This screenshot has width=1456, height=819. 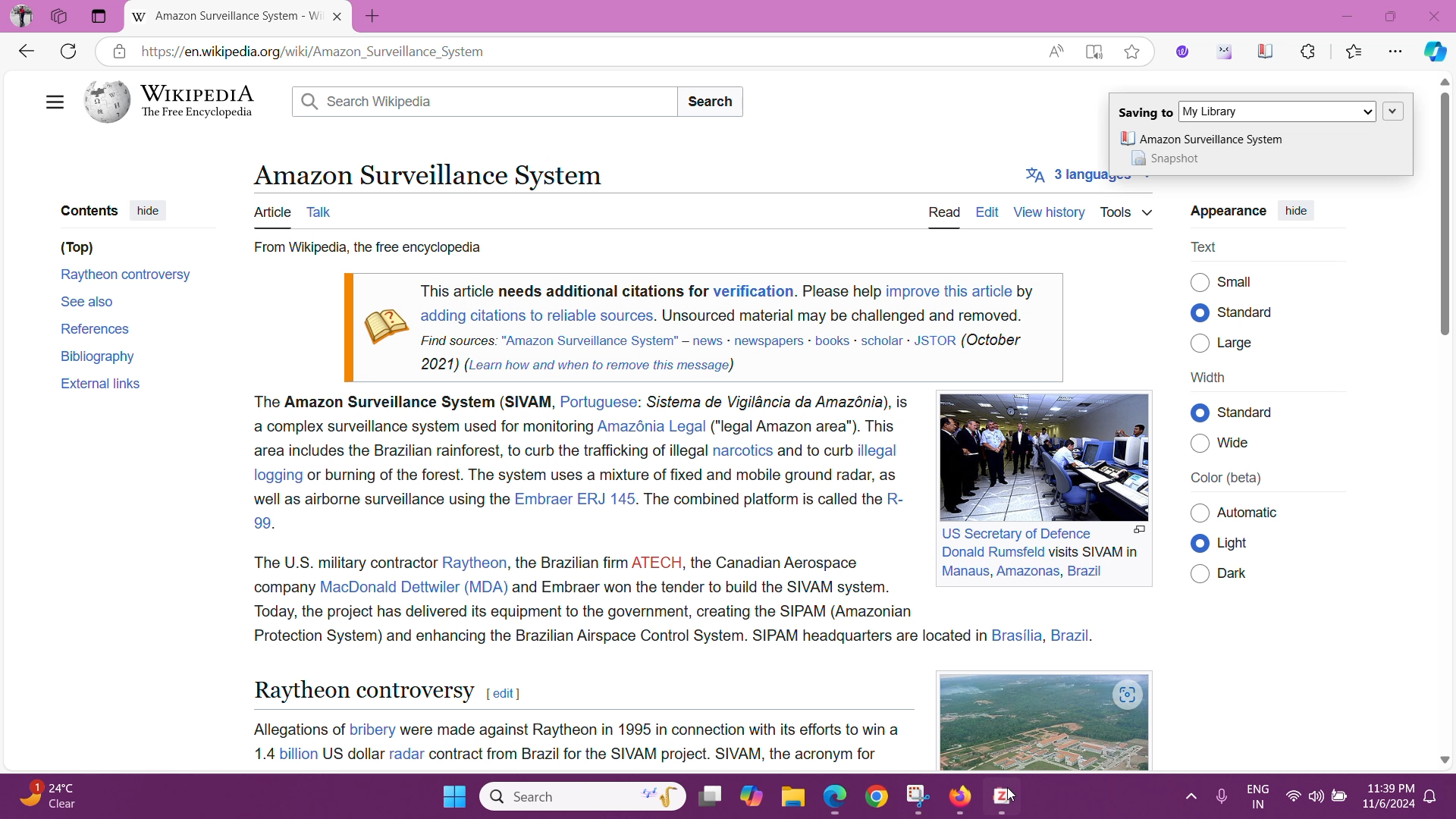 I want to click on well as airborne surveillance using the, so click(x=380, y=500).